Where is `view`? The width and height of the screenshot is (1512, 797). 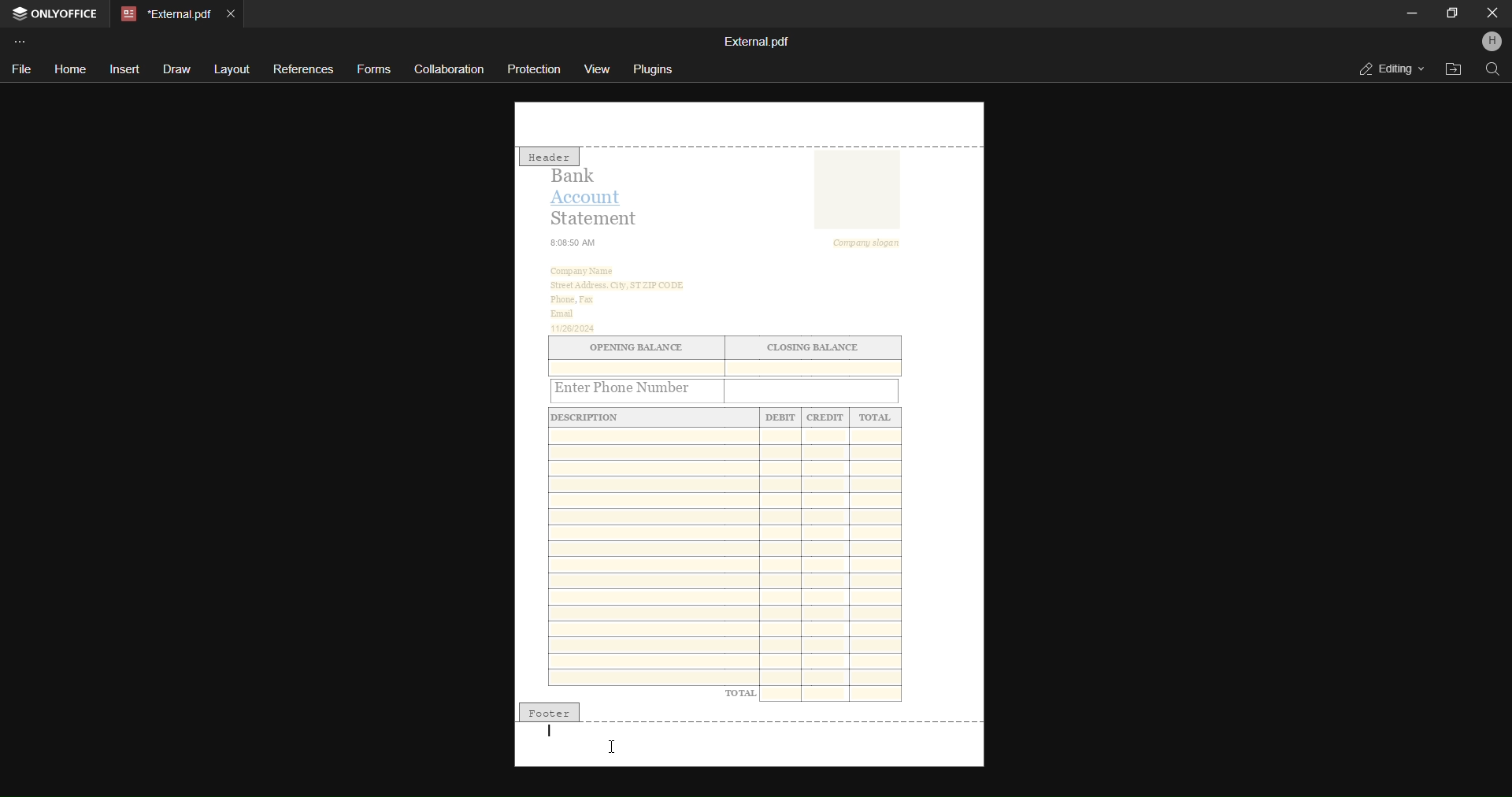 view is located at coordinates (600, 69).